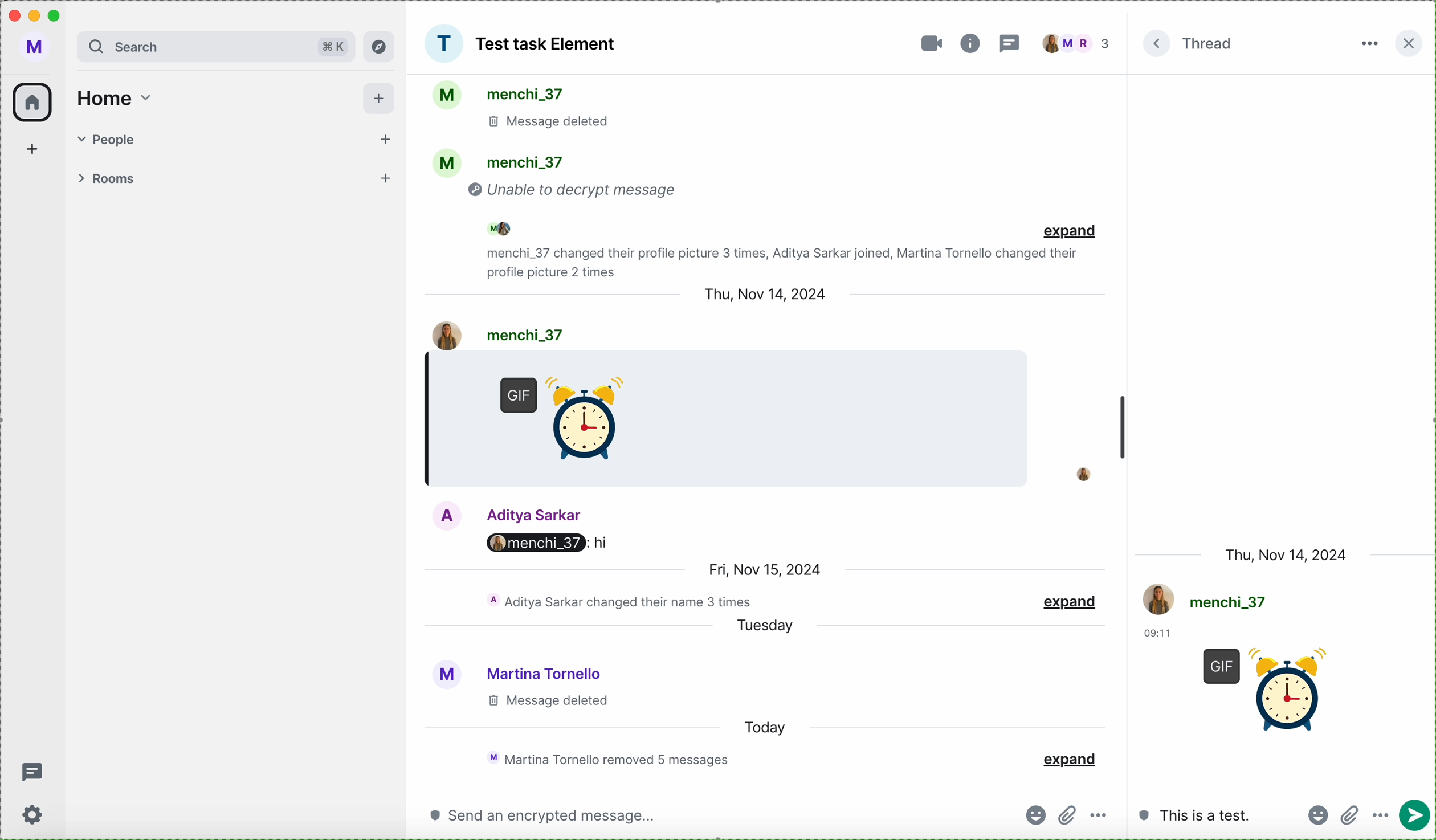 Image resolution: width=1436 pixels, height=840 pixels. I want to click on explore, so click(380, 46).